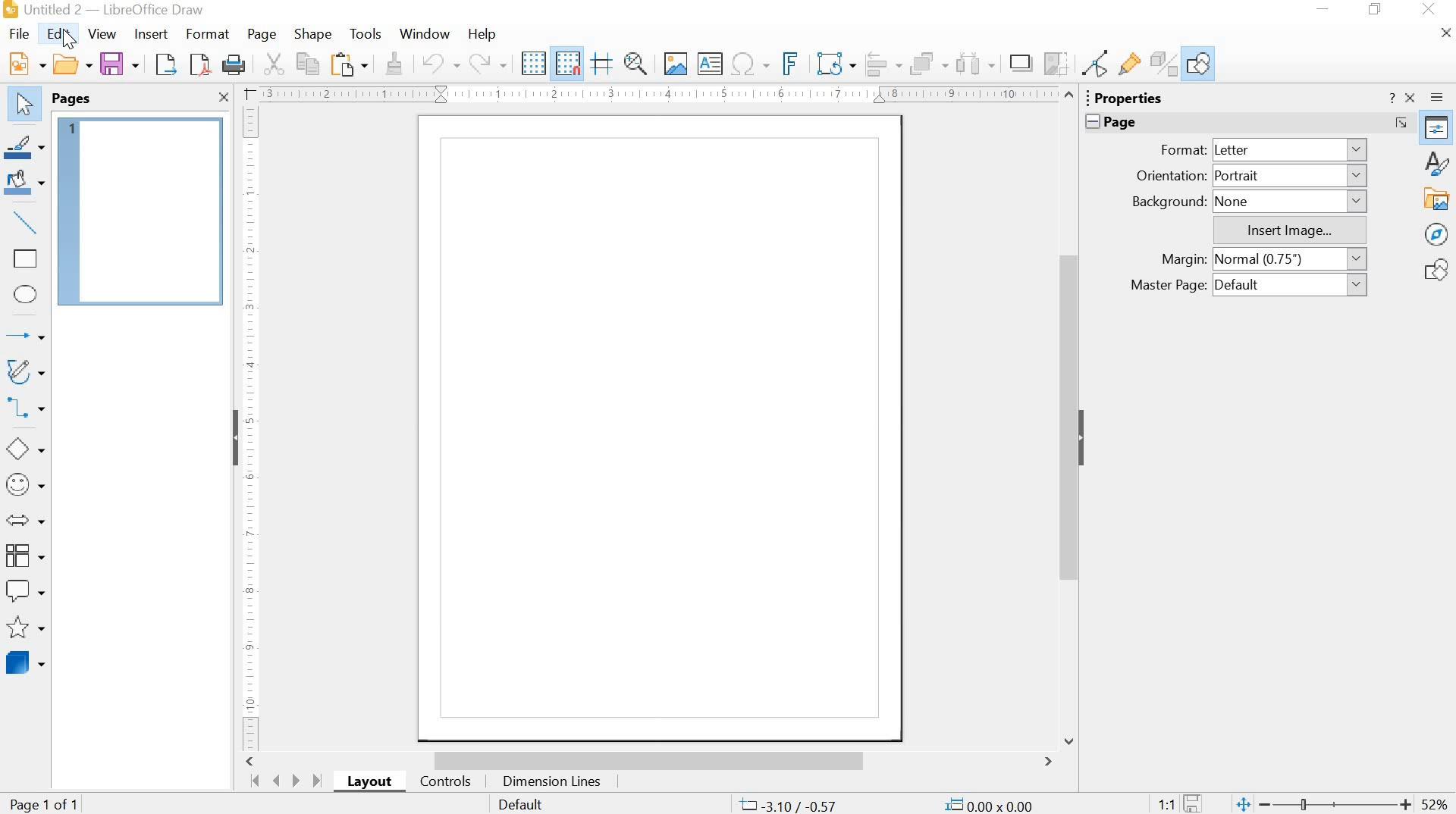 The height and width of the screenshot is (814, 1456). What do you see at coordinates (25, 258) in the screenshot?
I see `Rectangle (double click for multi-selection)` at bounding box center [25, 258].